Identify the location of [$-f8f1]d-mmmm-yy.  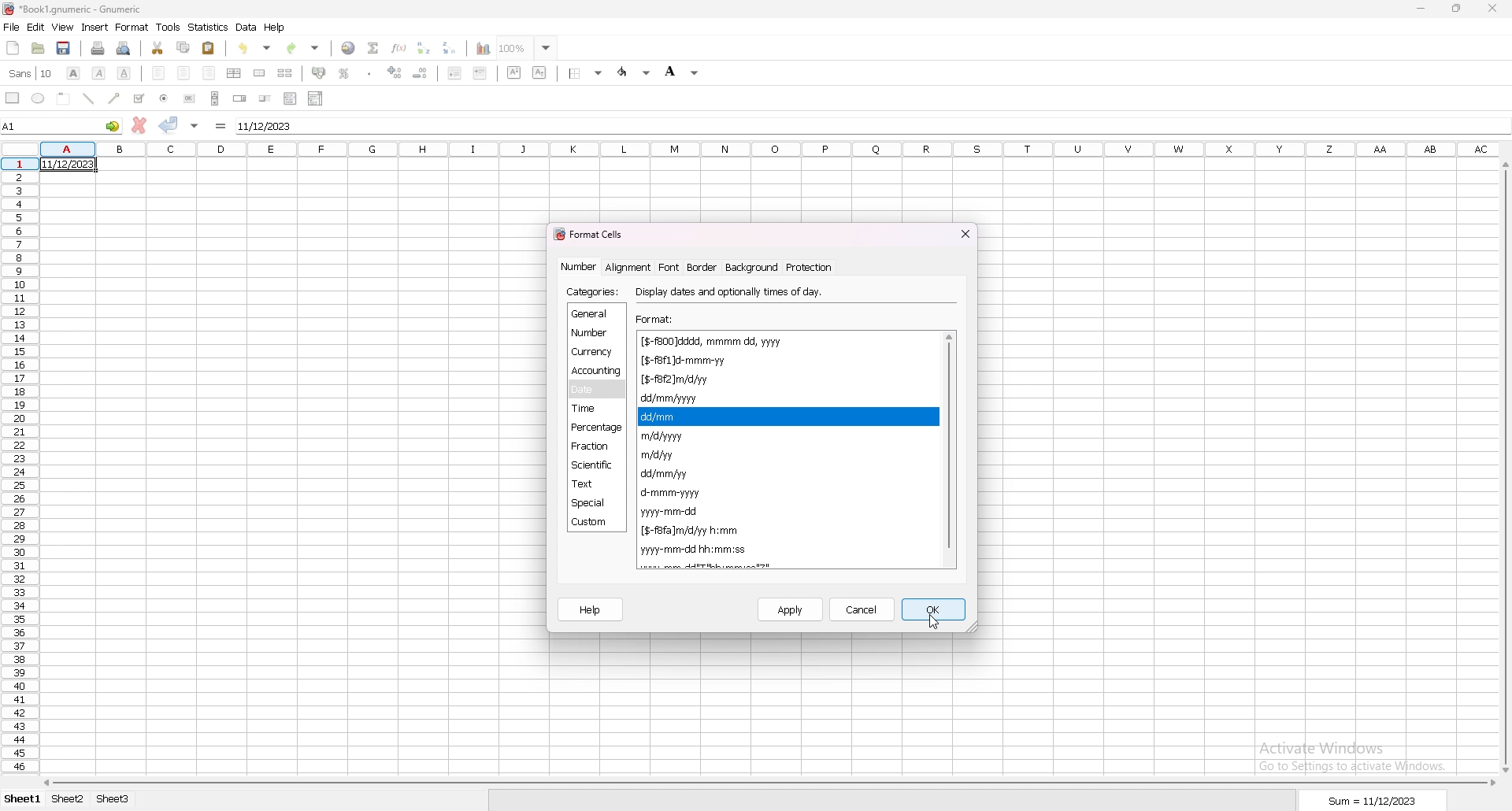
(717, 361).